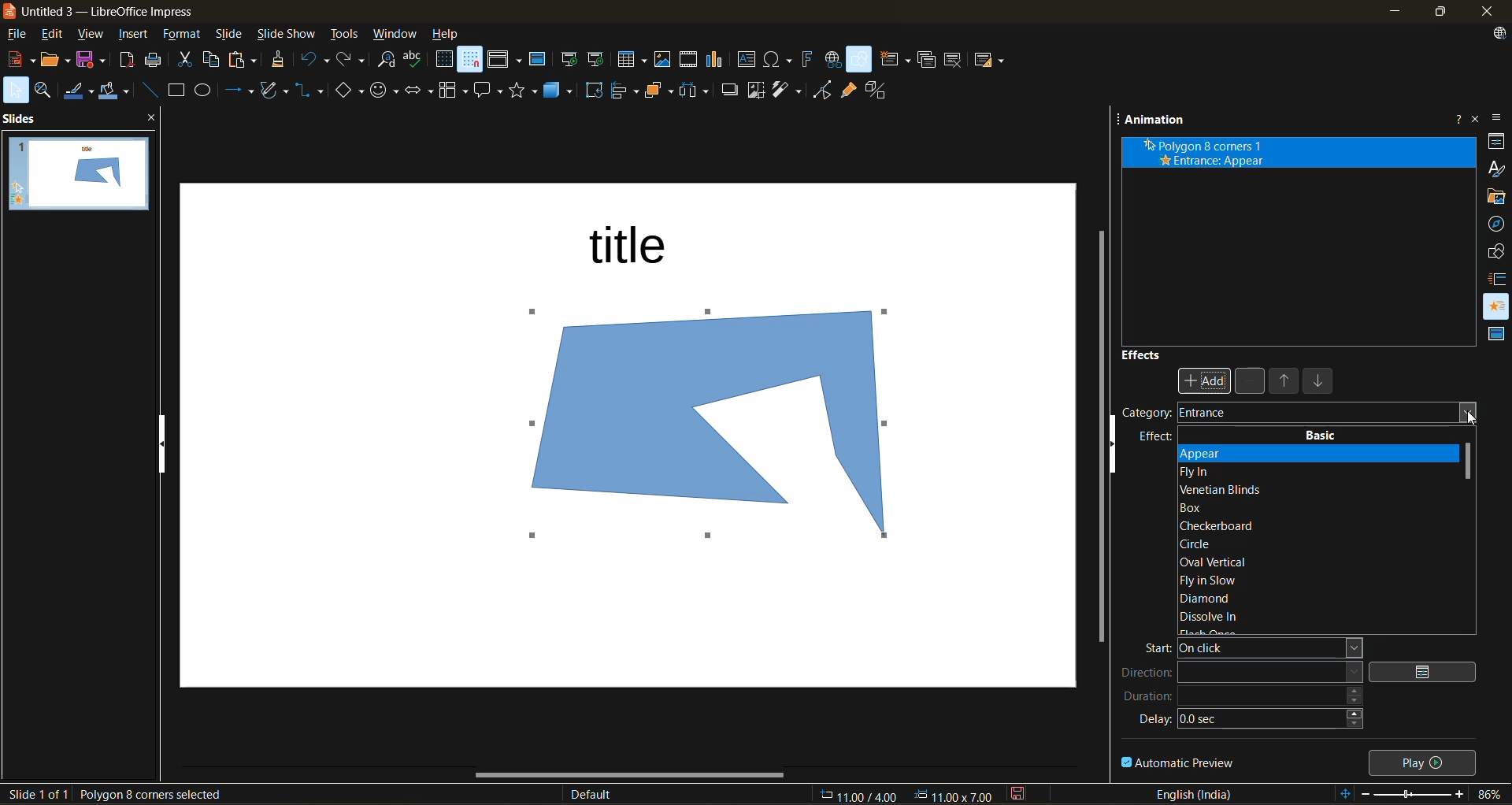  Describe the element at coordinates (1288, 383) in the screenshot. I see `move up` at that location.